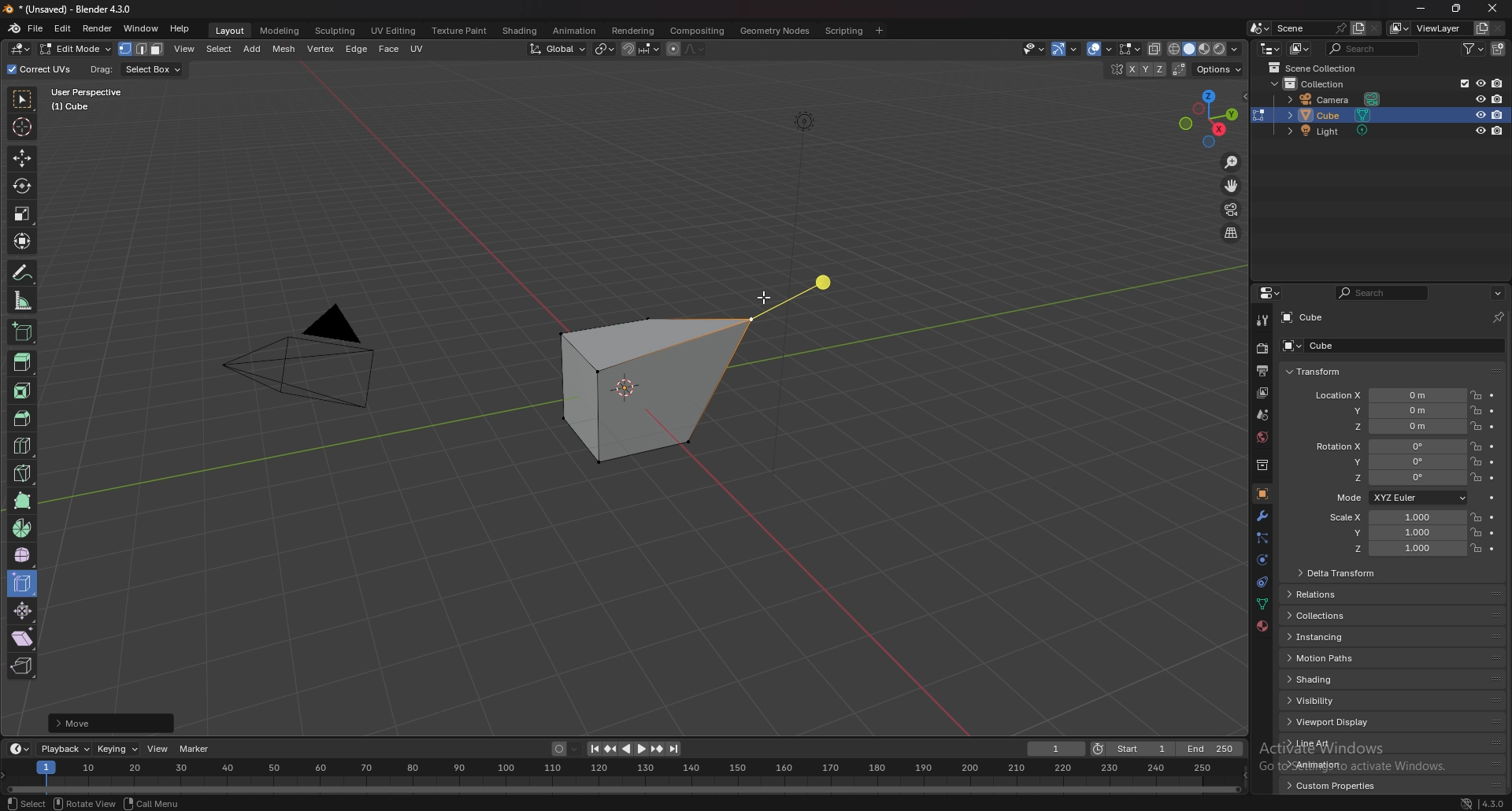 This screenshot has height=811, width=1512. I want to click on enable mesh symmetry, so click(1137, 70).